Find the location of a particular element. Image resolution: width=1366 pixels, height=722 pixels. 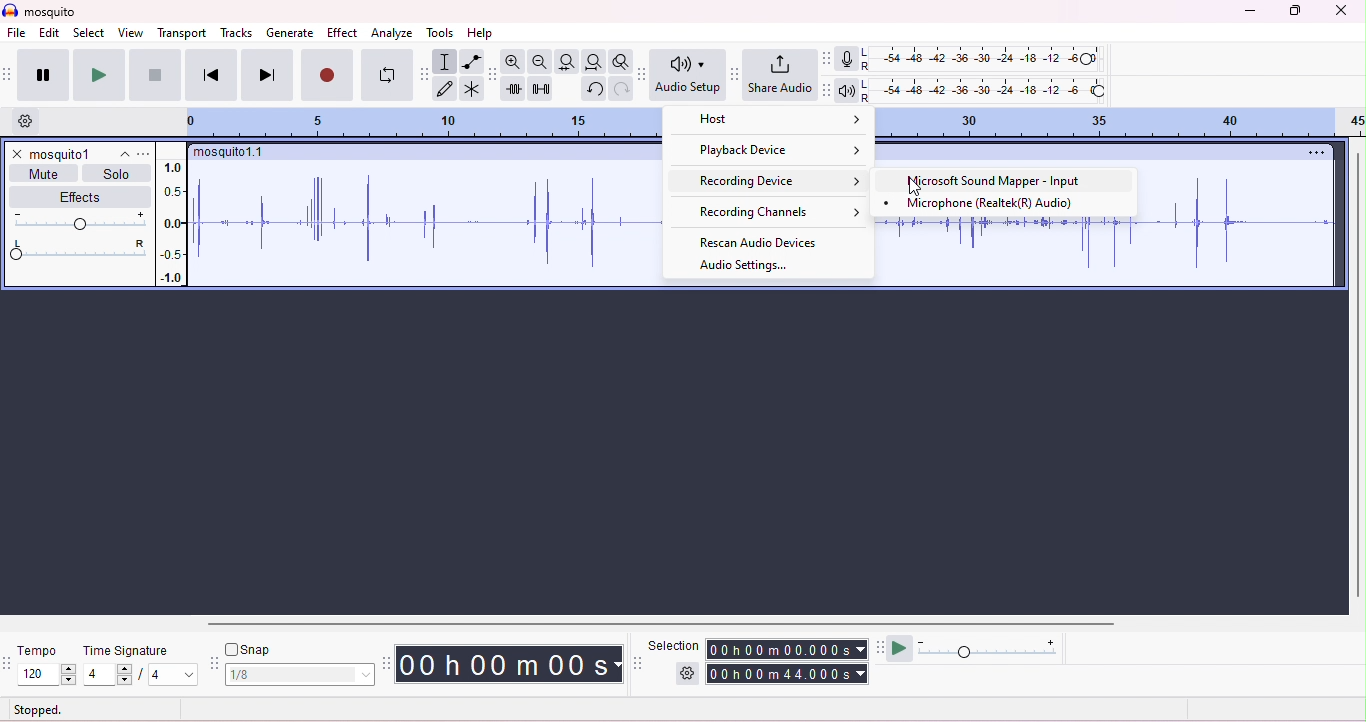

edit is located at coordinates (50, 34).